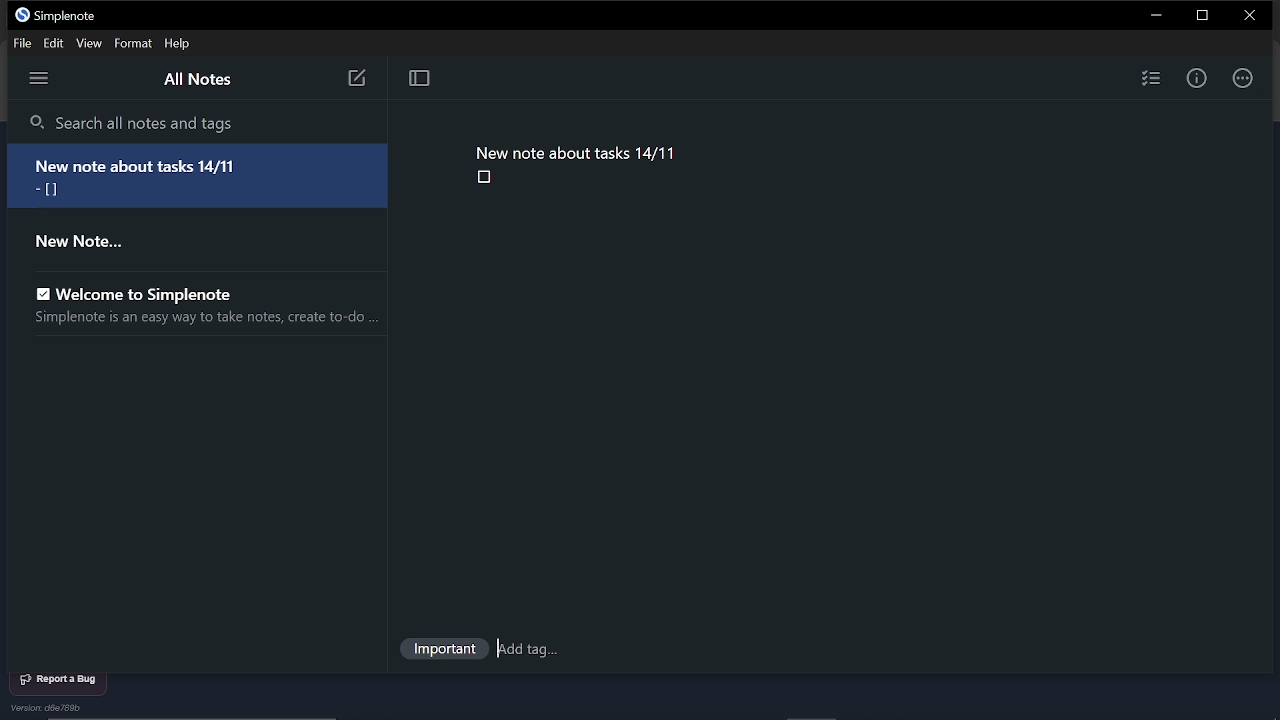 The height and width of the screenshot is (720, 1280). I want to click on New note about tasks 14/11
= [i], so click(203, 176).